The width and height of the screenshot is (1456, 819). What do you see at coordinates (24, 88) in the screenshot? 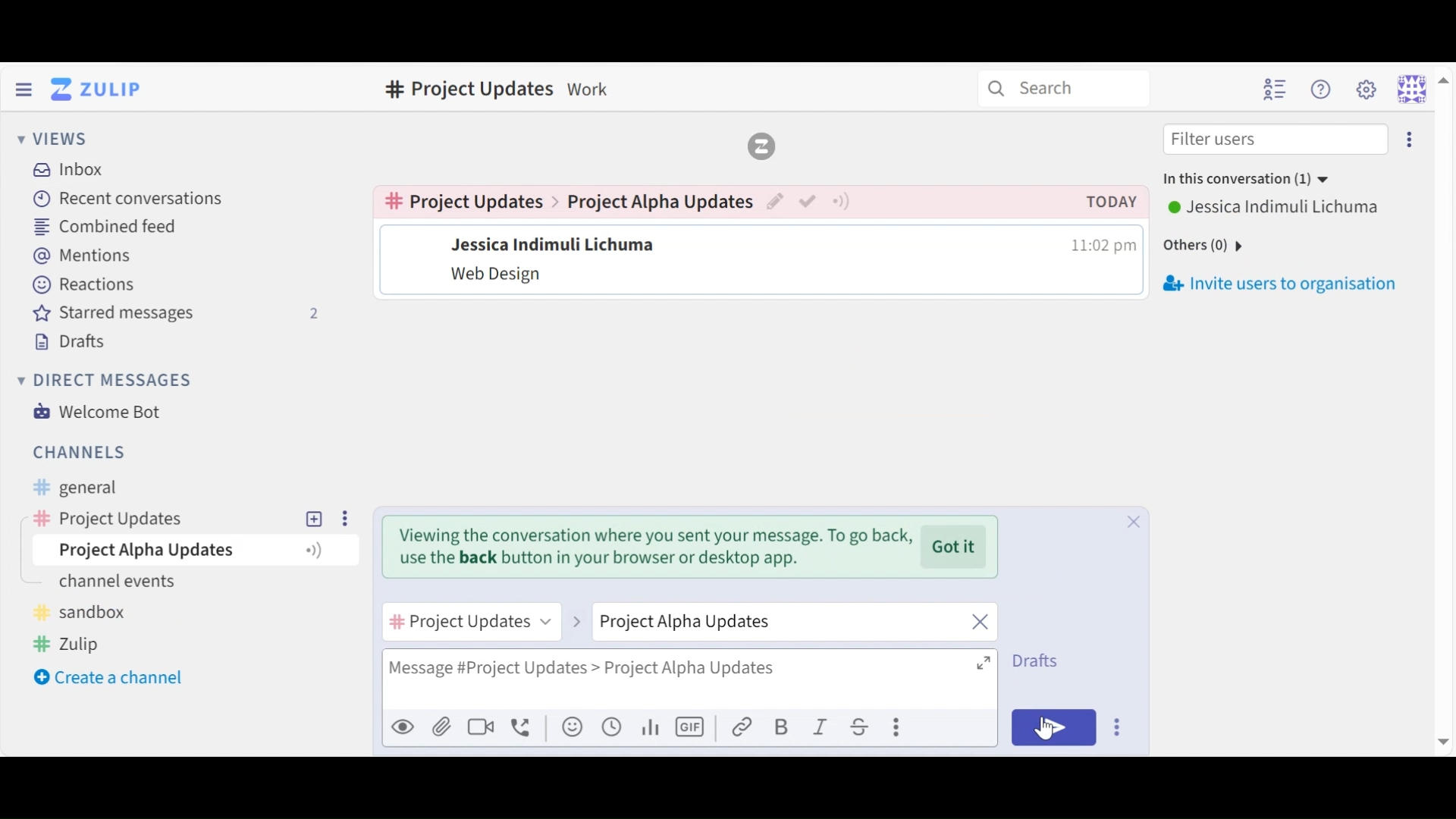
I see `Hide Sidebar` at bounding box center [24, 88].